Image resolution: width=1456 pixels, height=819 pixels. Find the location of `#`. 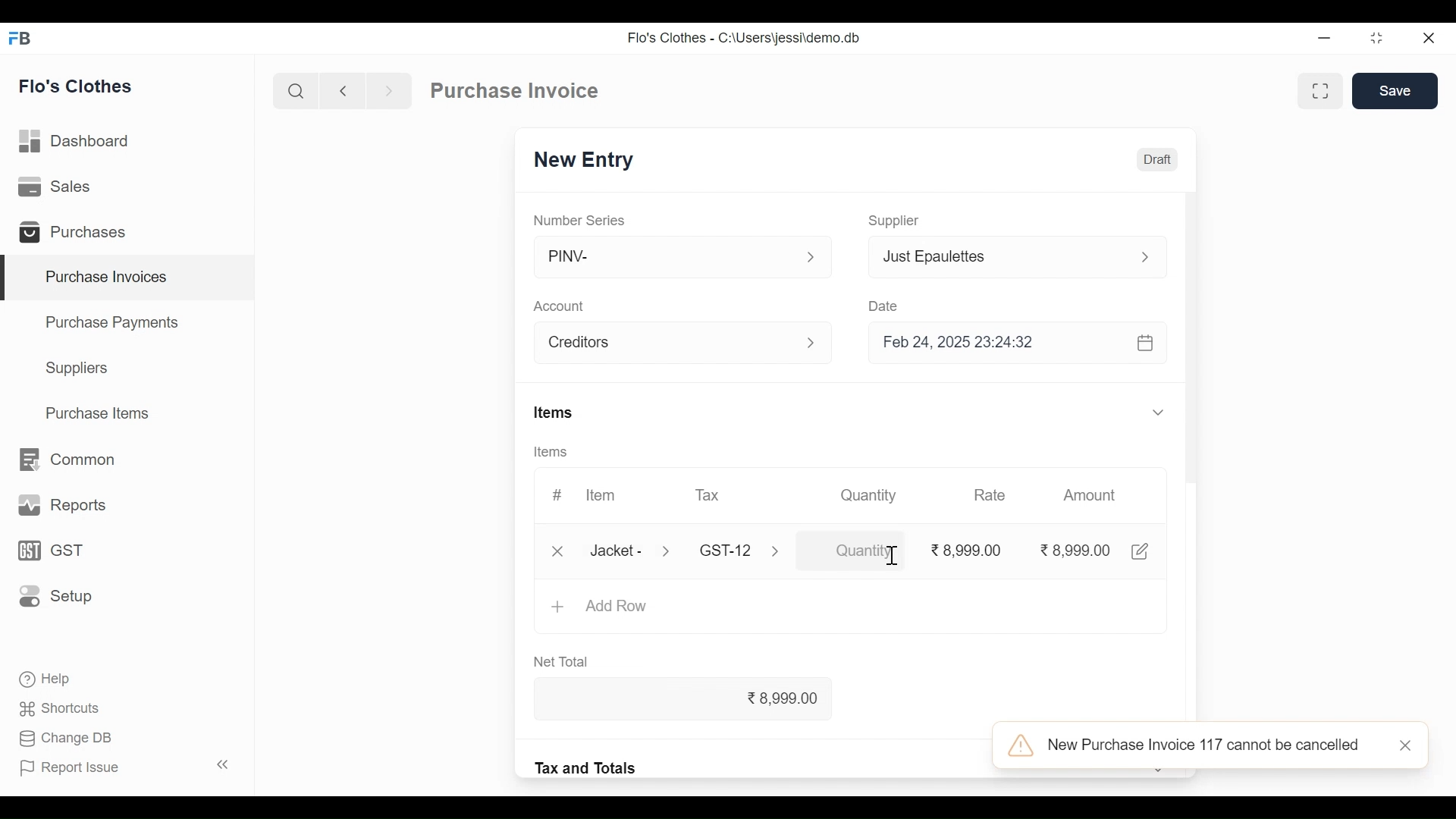

# is located at coordinates (558, 494).